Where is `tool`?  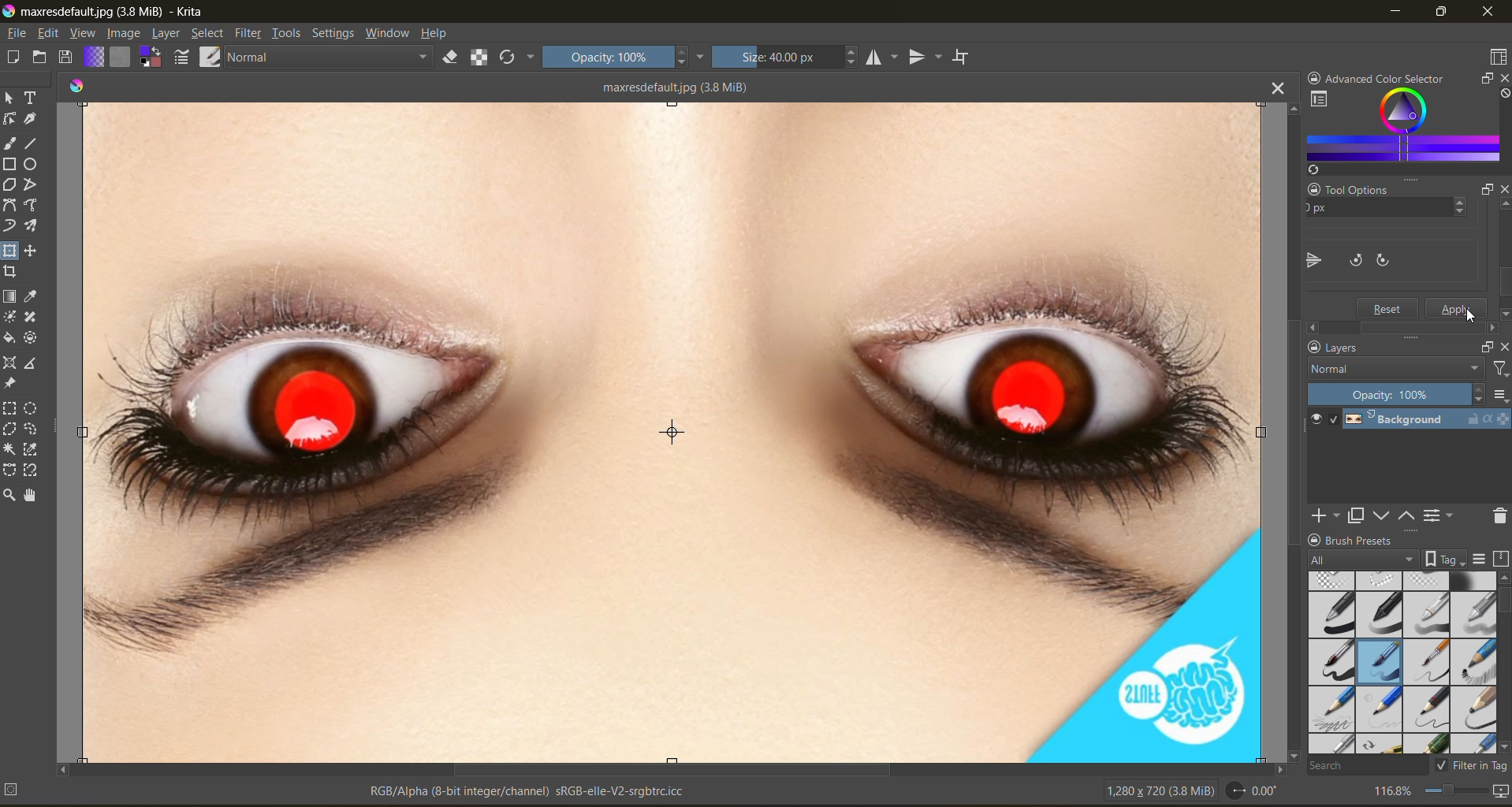 tool is located at coordinates (35, 428).